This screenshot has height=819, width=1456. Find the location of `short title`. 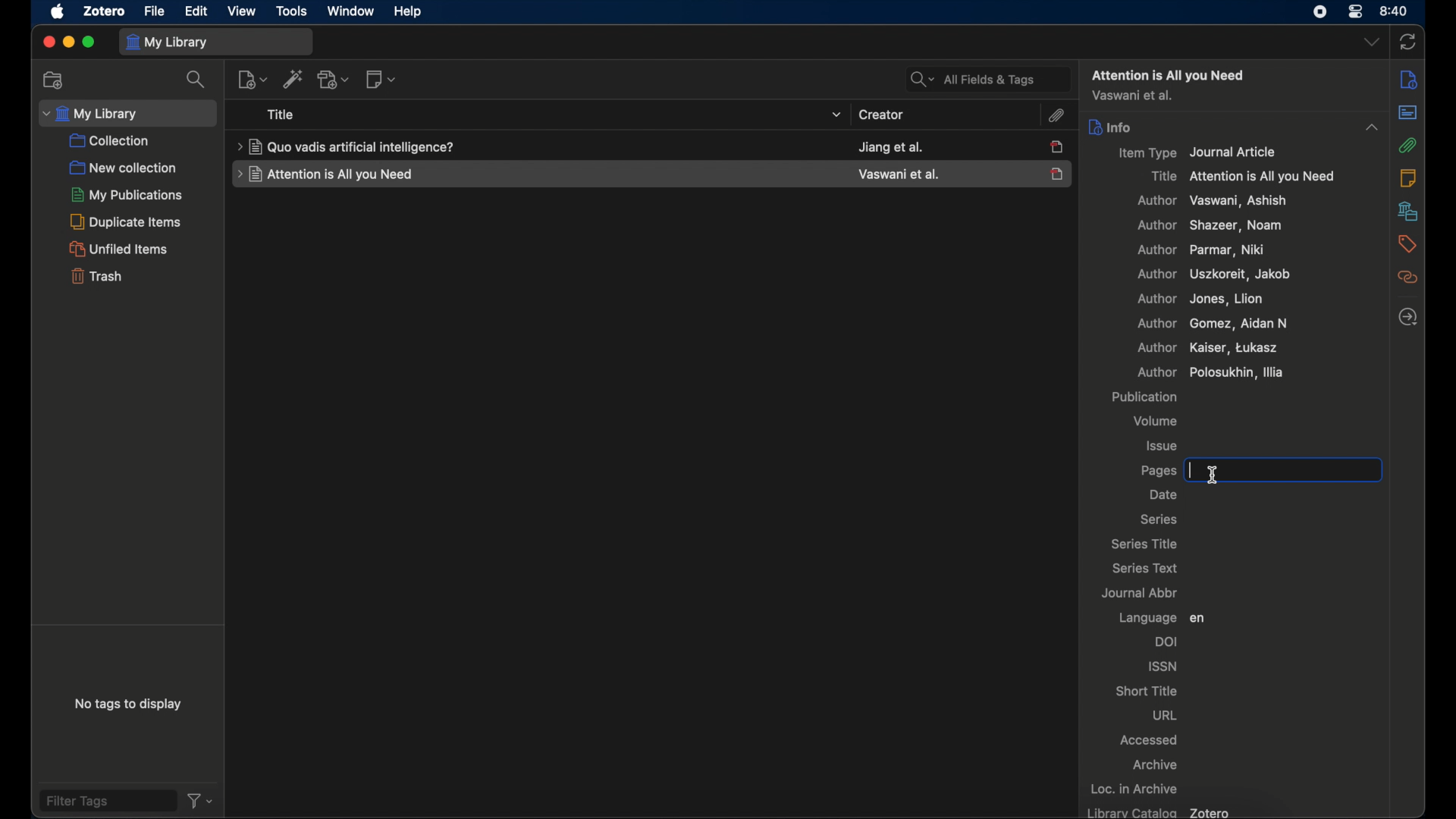

short title is located at coordinates (1147, 691).